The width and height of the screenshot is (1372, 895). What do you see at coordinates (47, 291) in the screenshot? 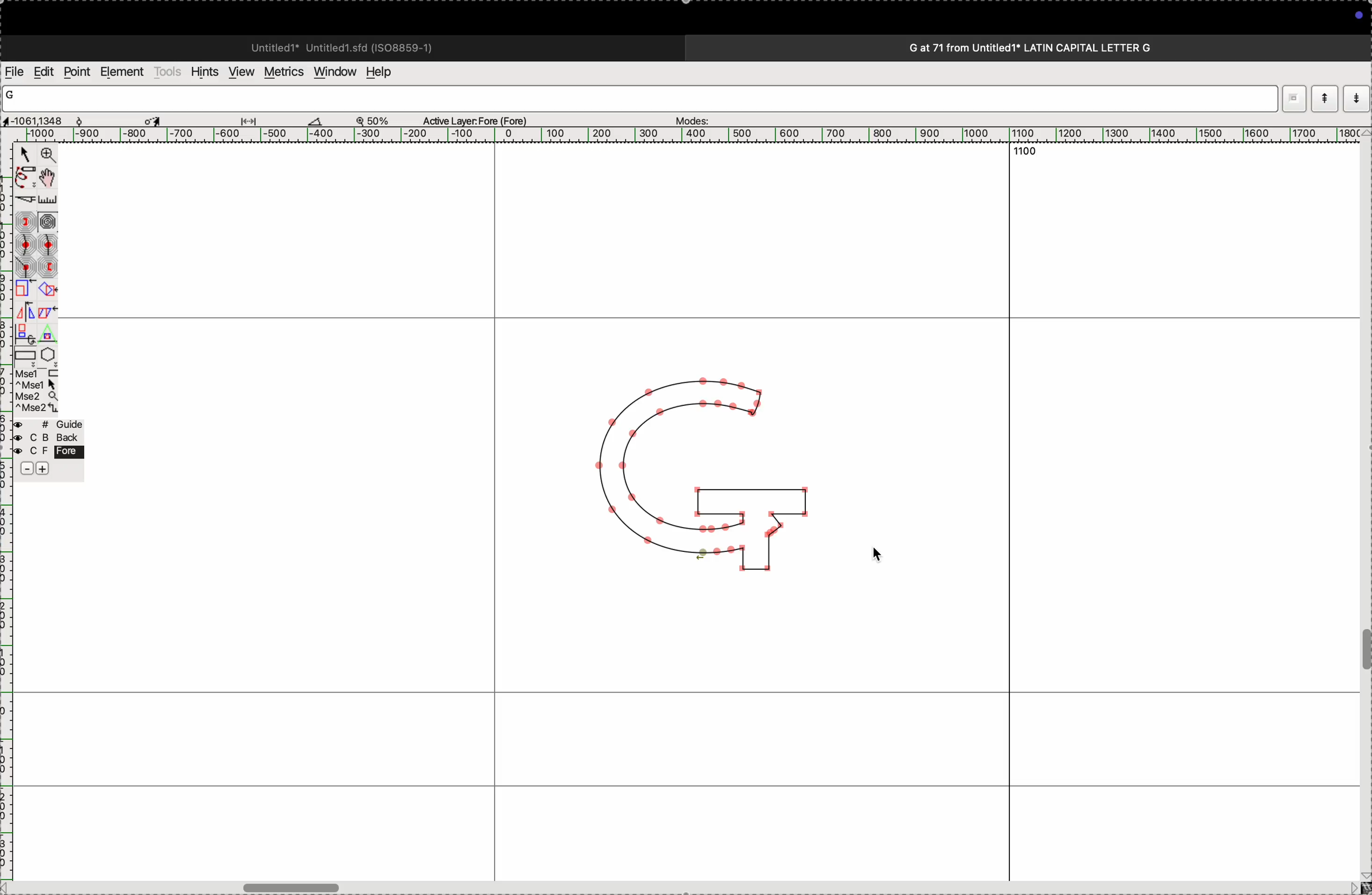
I see `rotate` at bounding box center [47, 291].